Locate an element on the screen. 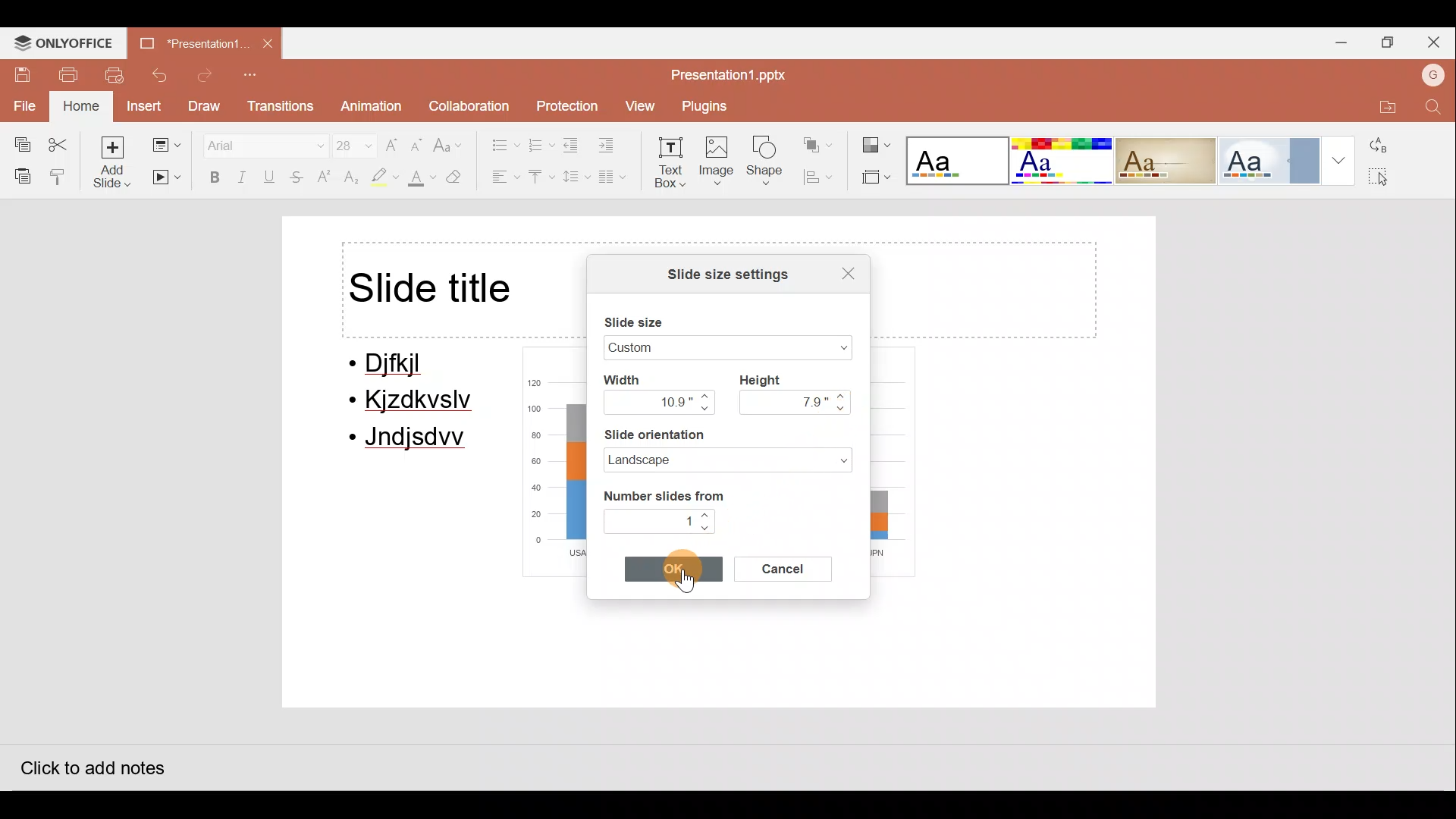 The width and height of the screenshot is (1456, 819). Increase indent is located at coordinates (616, 146).